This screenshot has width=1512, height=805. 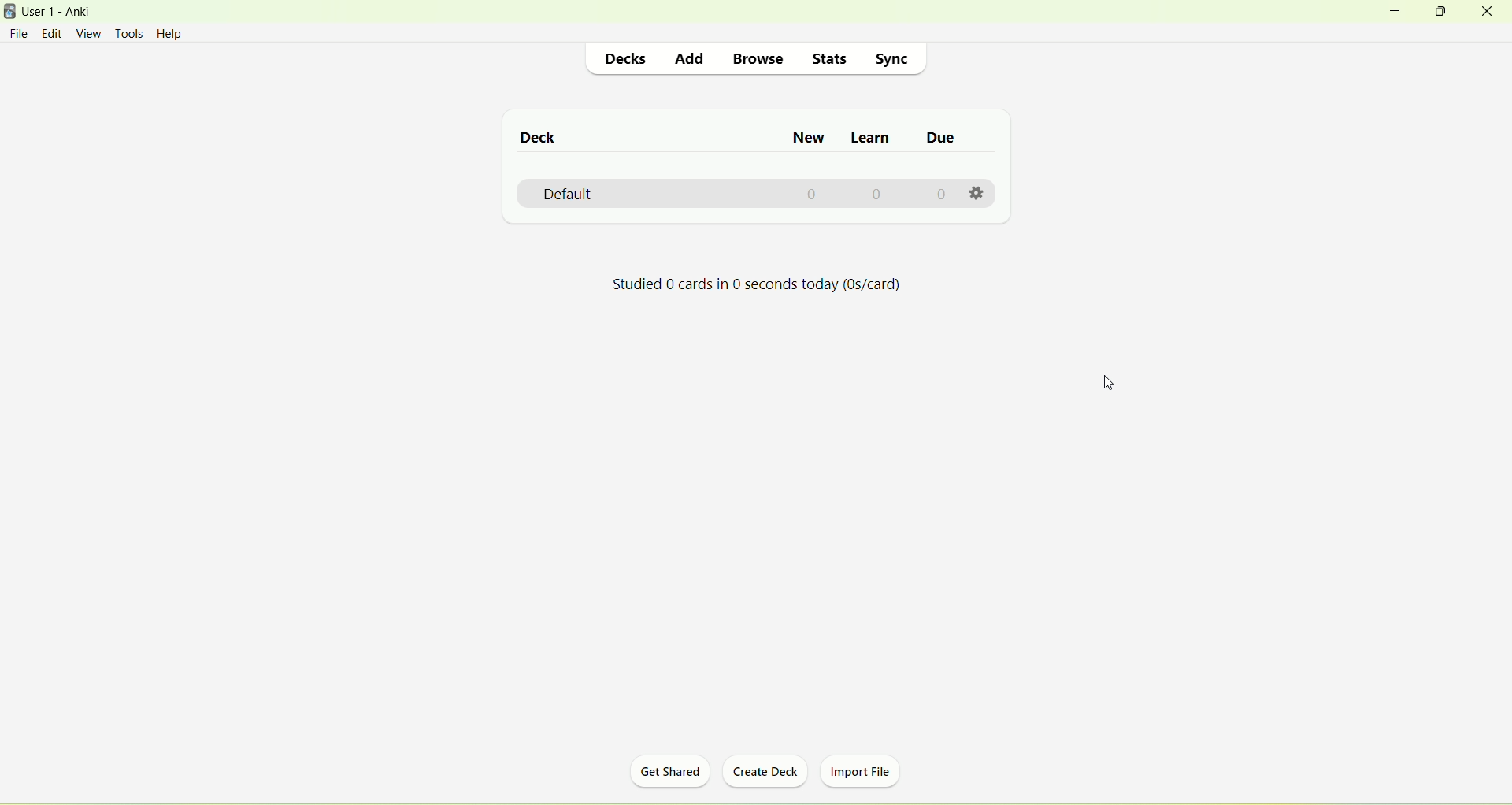 What do you see at coordinates (168, 35) in the screenshot?
I see `Help` at bounding box center [168, 35].